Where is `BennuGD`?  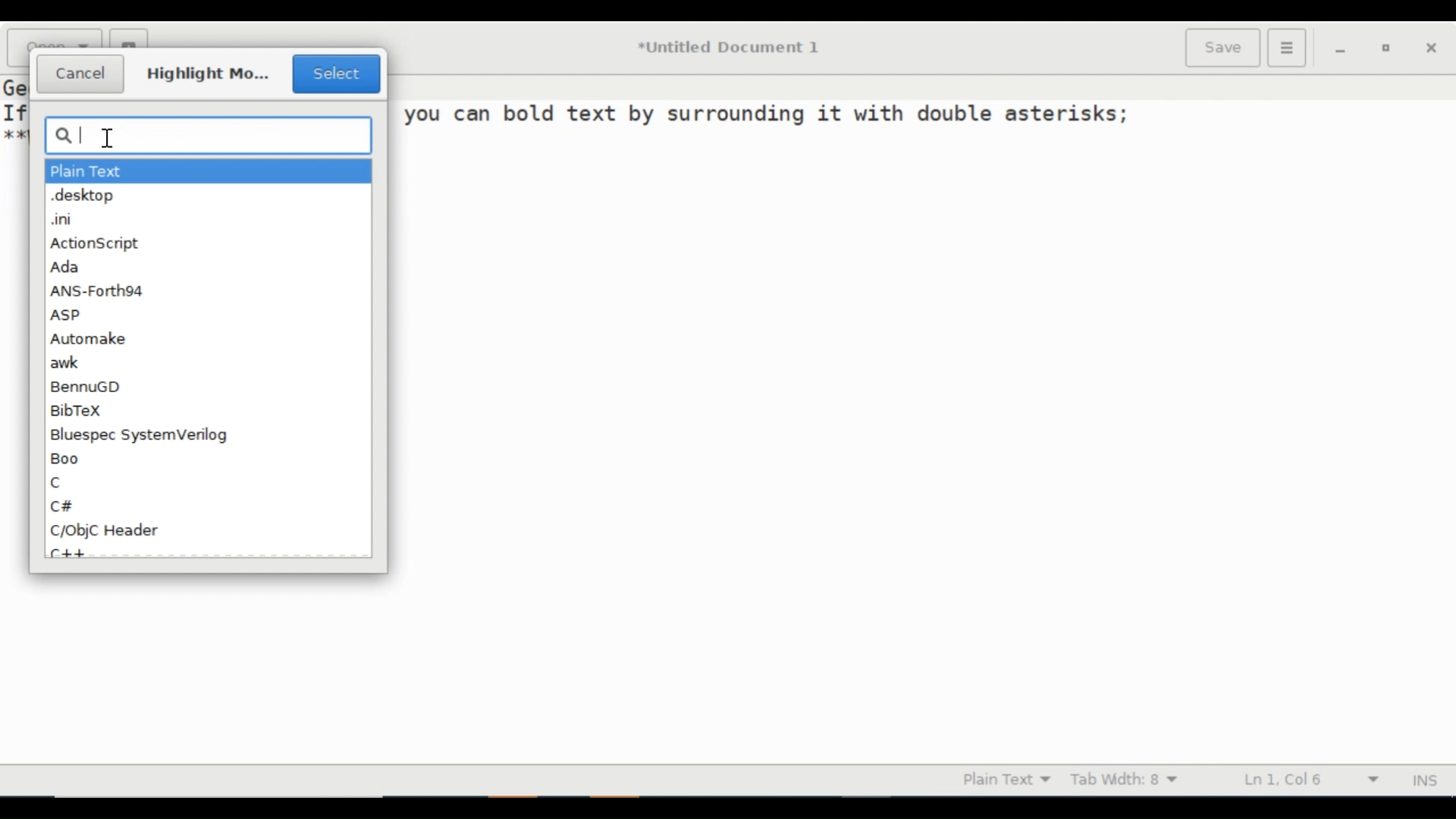
BennuGD is located at coordinates (90, 387).